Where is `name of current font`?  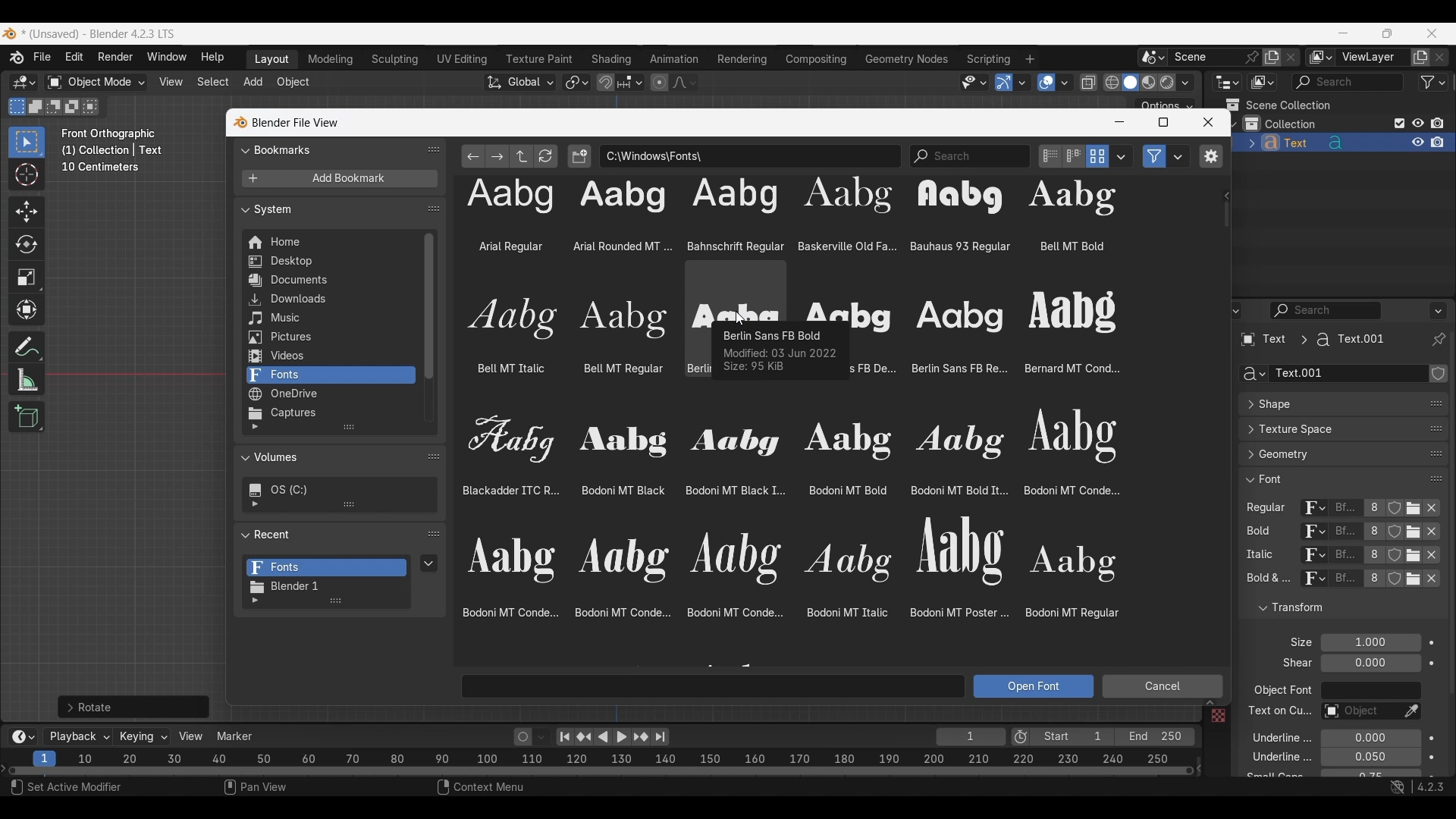 name of current font is located at coordinates (1345, 584).